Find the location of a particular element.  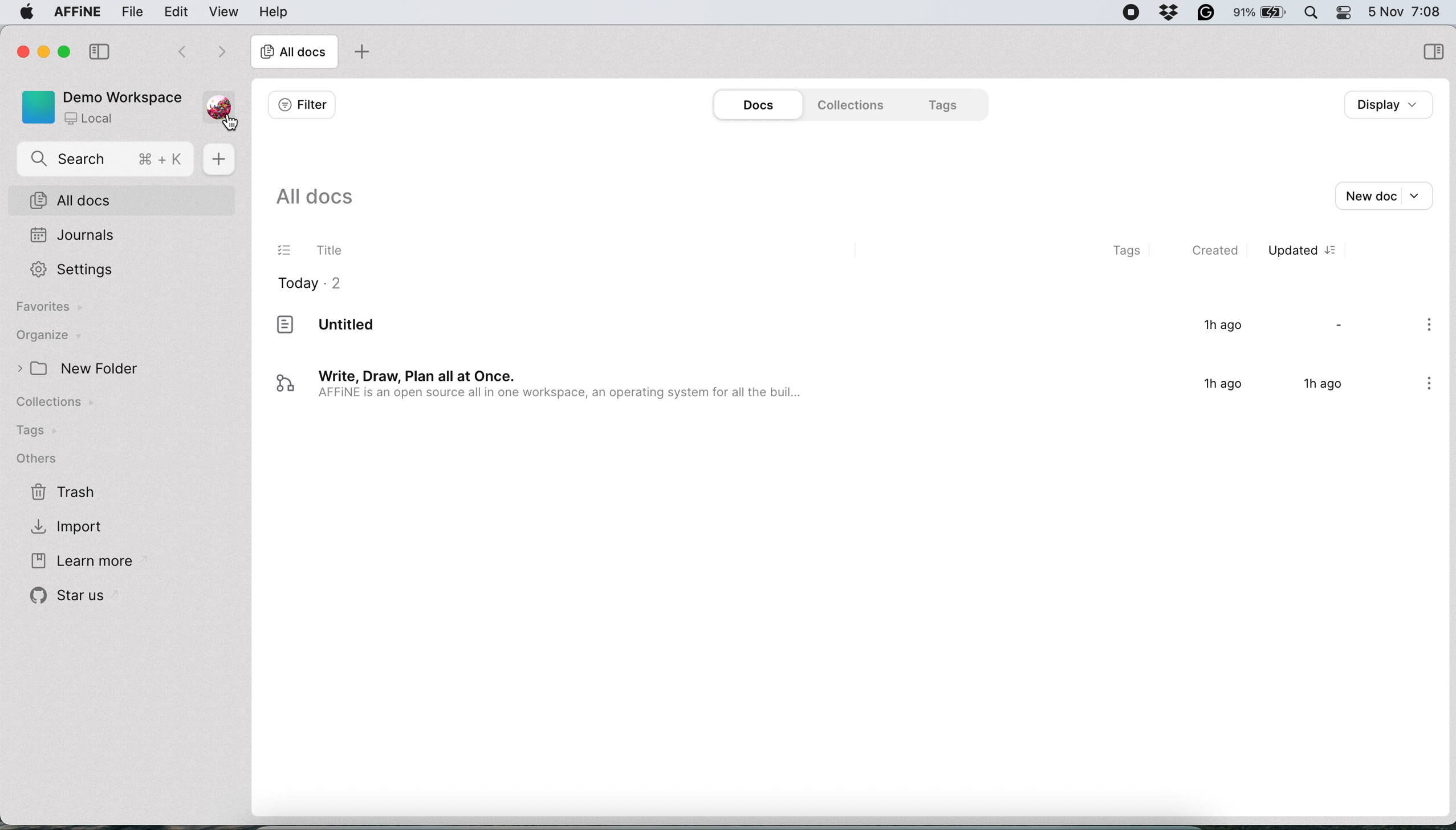

view is located at coordinates (224, 13).